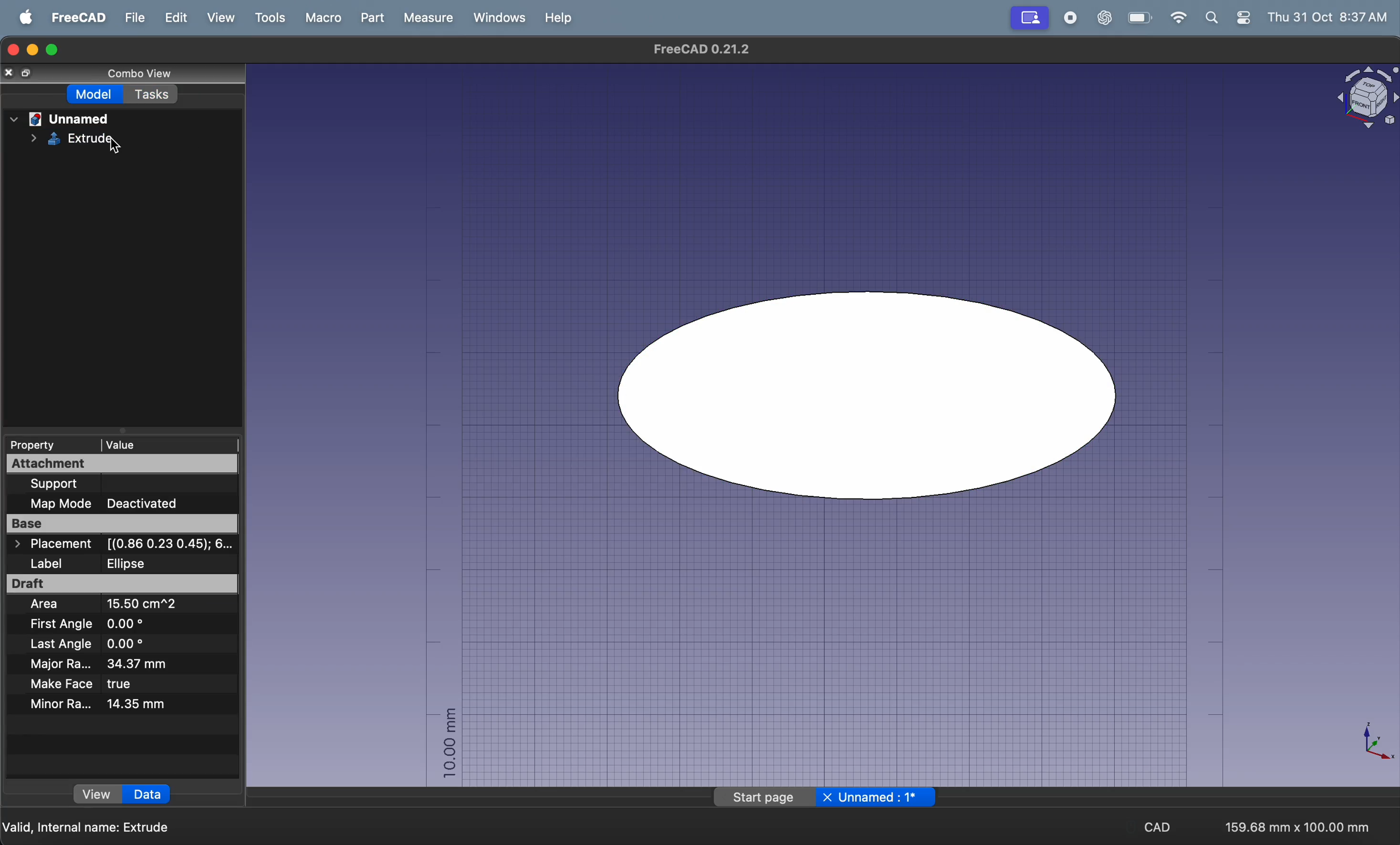 The width and height of the screenshot is (1400, 845). Describe the element at coordinates (35, 51) in the screenshot. I see `minimize` at that location.